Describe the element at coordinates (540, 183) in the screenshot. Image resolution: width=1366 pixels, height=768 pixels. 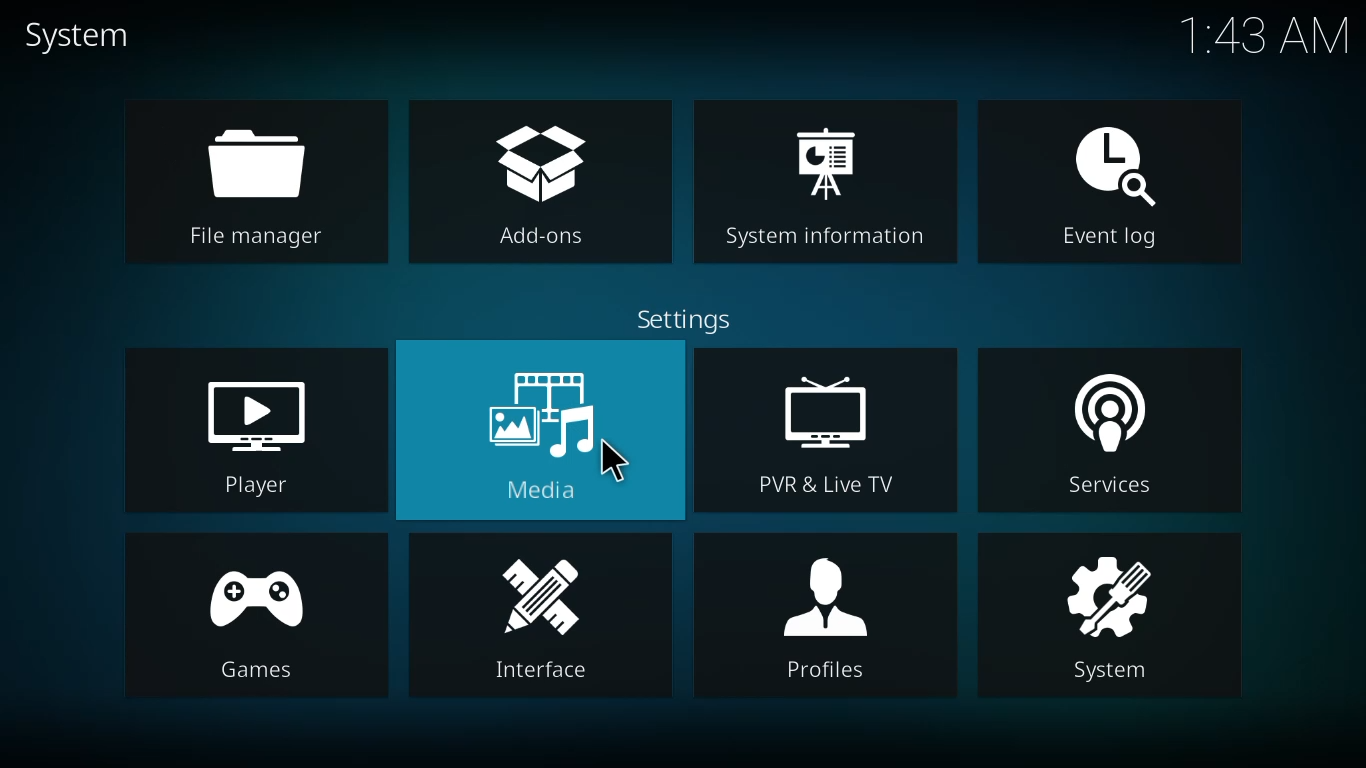
I see `add-ons` at that location.